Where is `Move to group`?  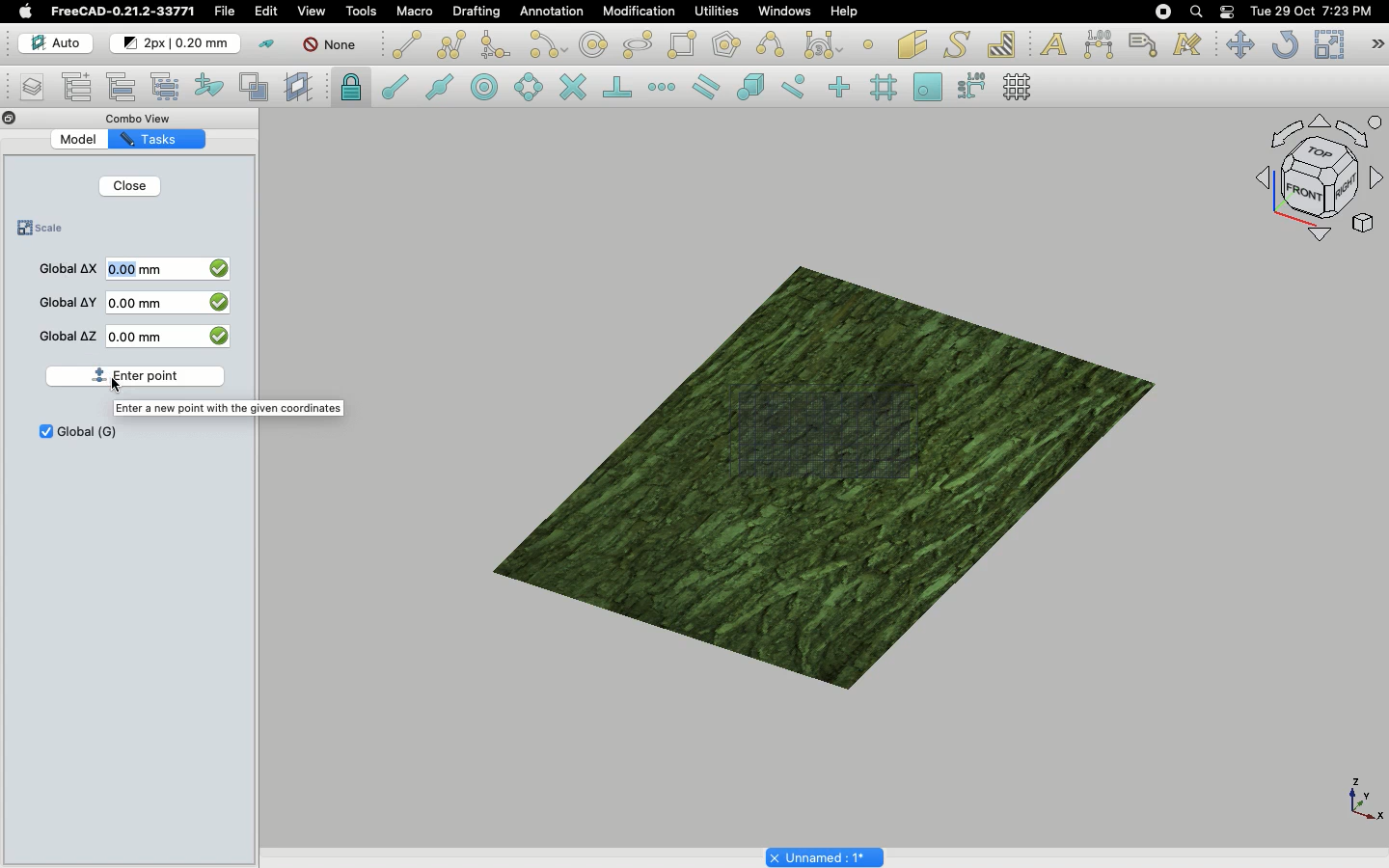 Move to group is located at coordinates (123, 86).